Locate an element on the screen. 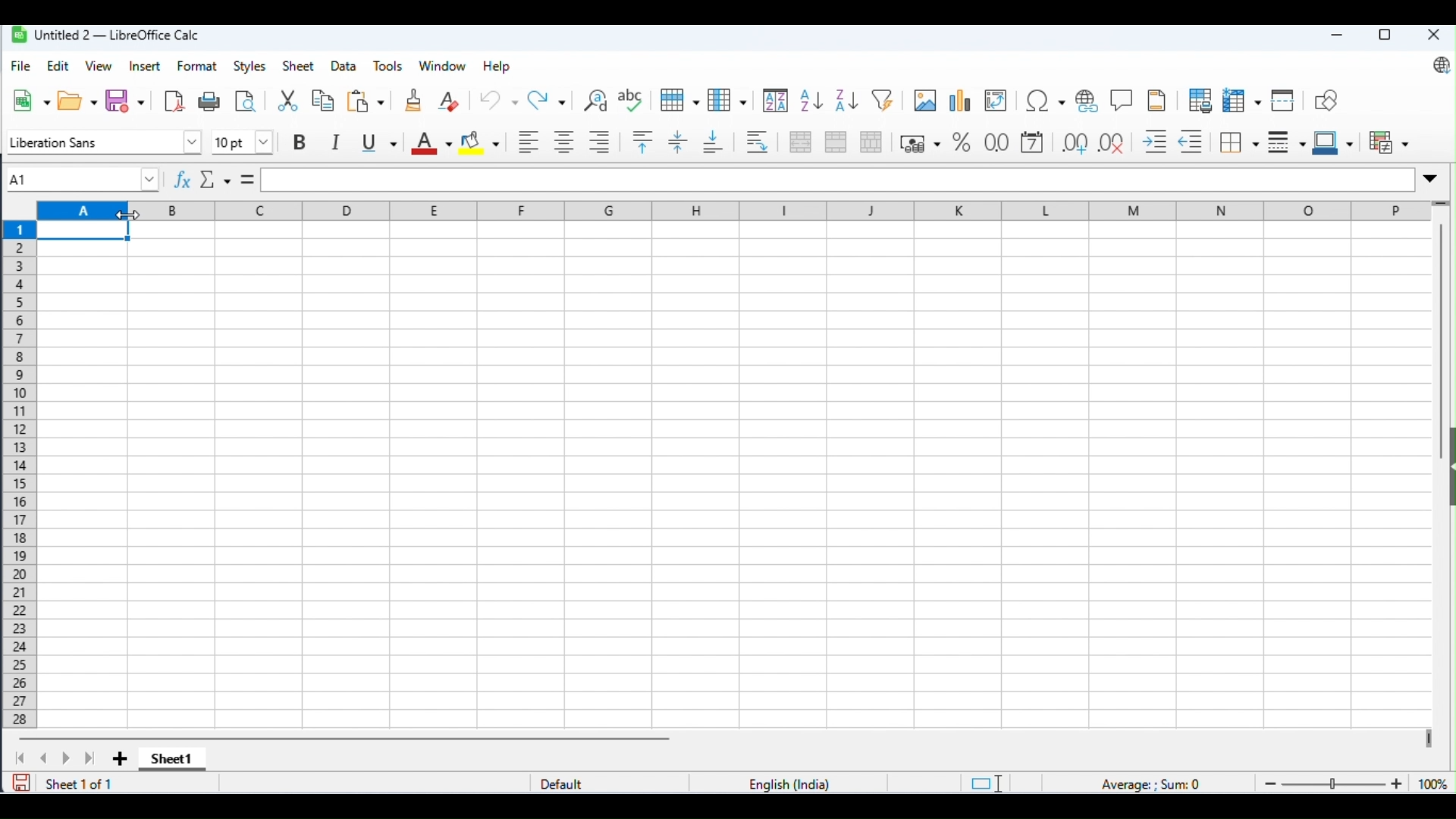 This screenshot has width=1456, height=819. font color is located at coordinates (431, 143).